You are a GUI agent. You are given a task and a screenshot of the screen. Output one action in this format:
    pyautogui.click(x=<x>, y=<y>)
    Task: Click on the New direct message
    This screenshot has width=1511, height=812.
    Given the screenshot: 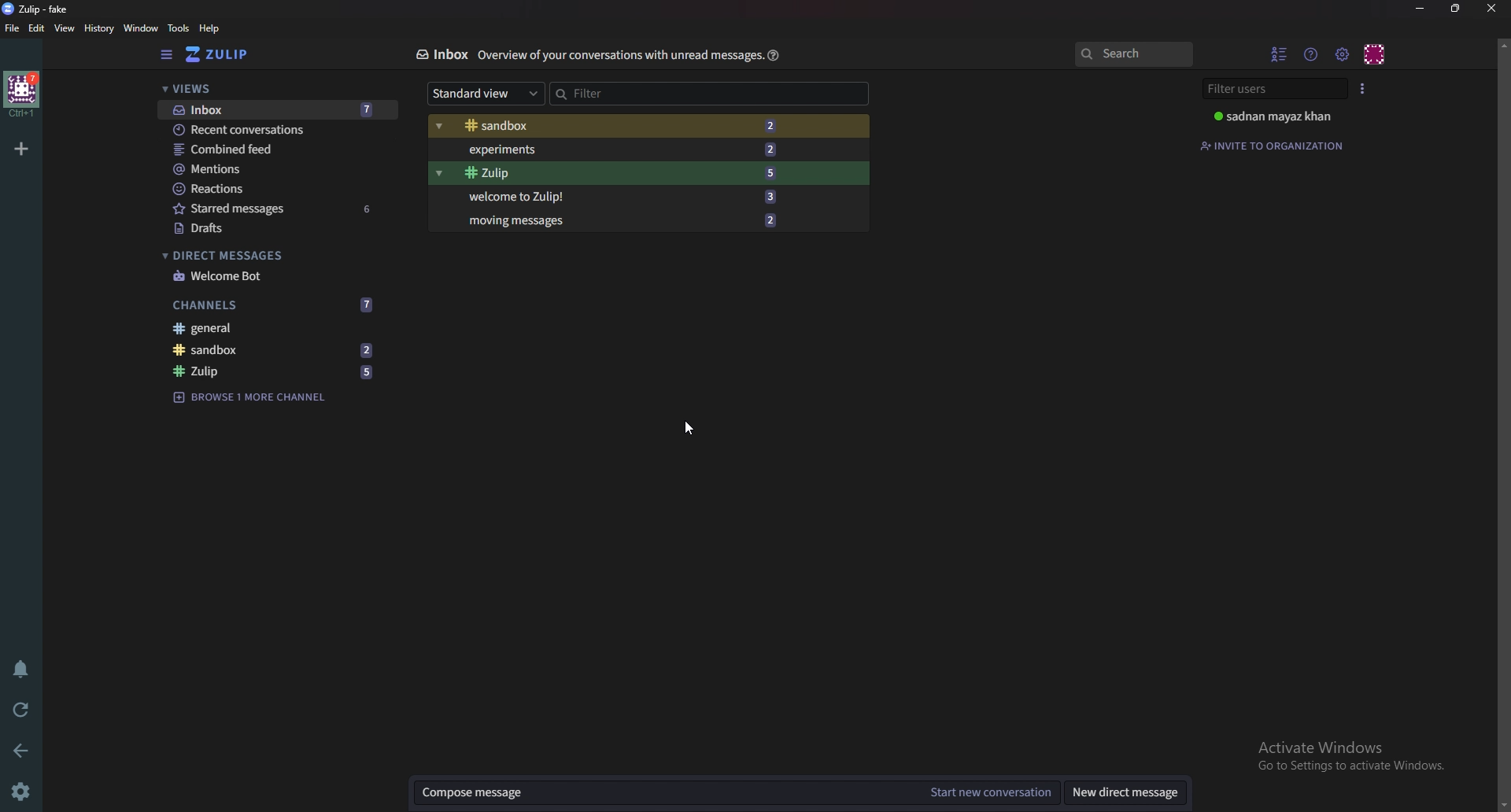 What is the action you would take?
    pyautogui.click(x=1127, y=793)
    